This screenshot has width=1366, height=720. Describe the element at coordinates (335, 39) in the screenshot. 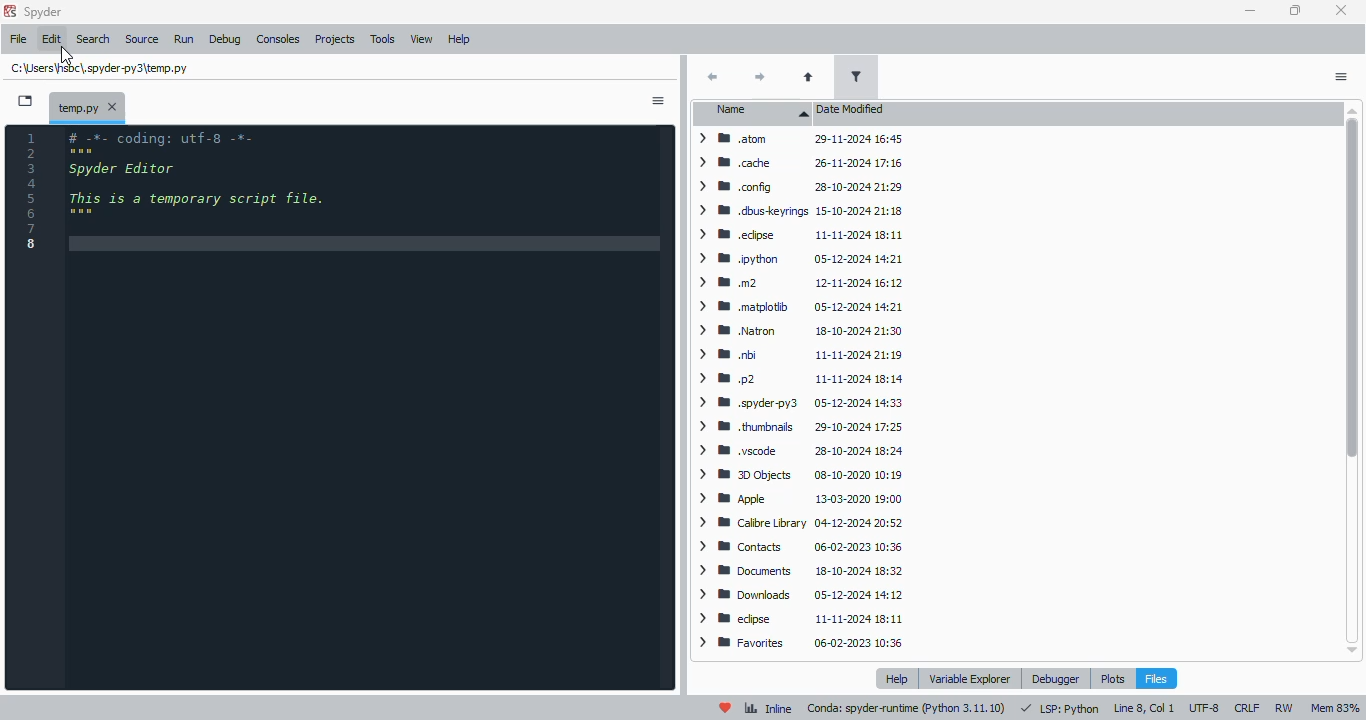

I see `projects` at that location.